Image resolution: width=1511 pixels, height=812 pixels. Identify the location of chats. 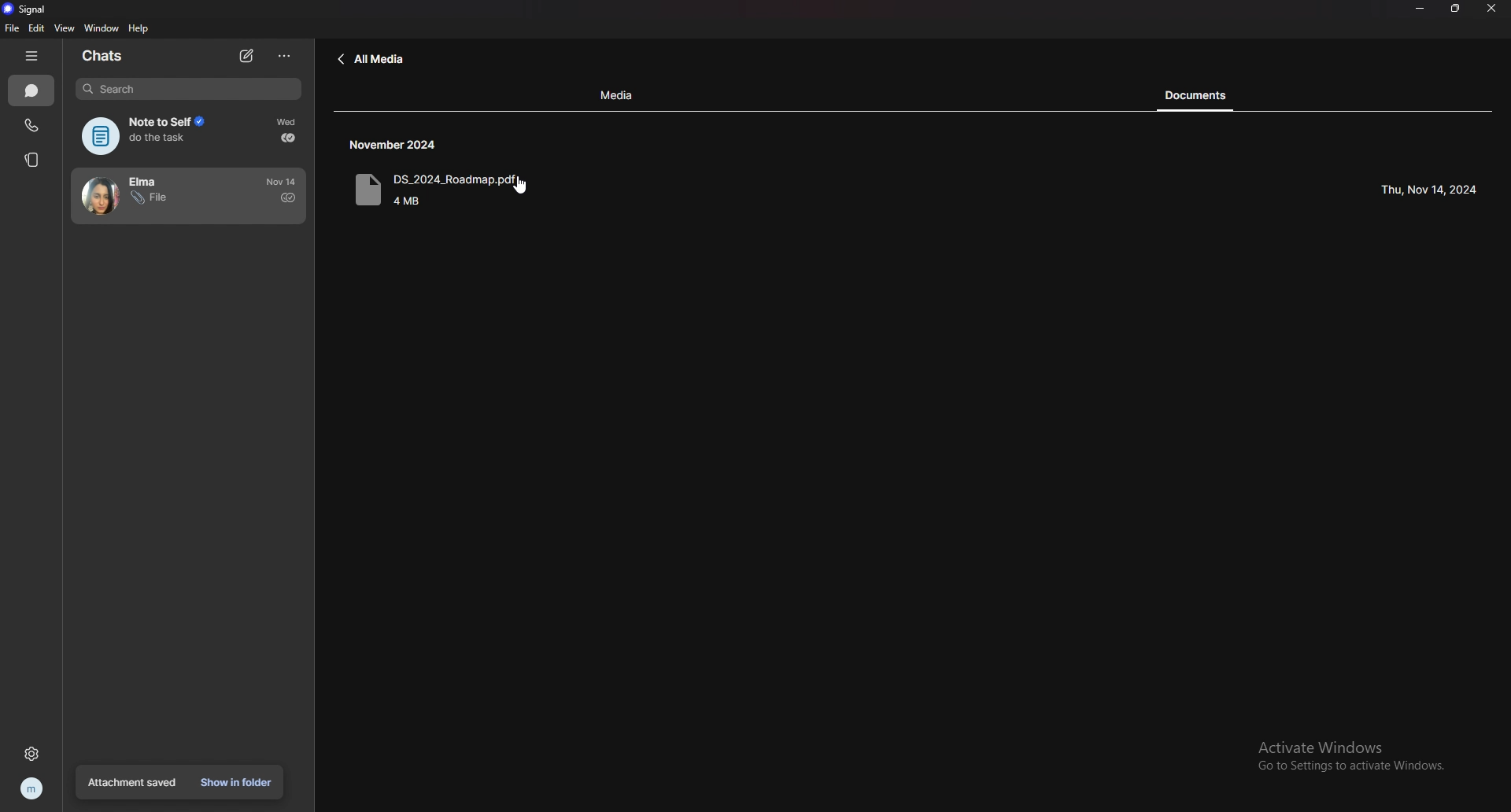
(32, 90).